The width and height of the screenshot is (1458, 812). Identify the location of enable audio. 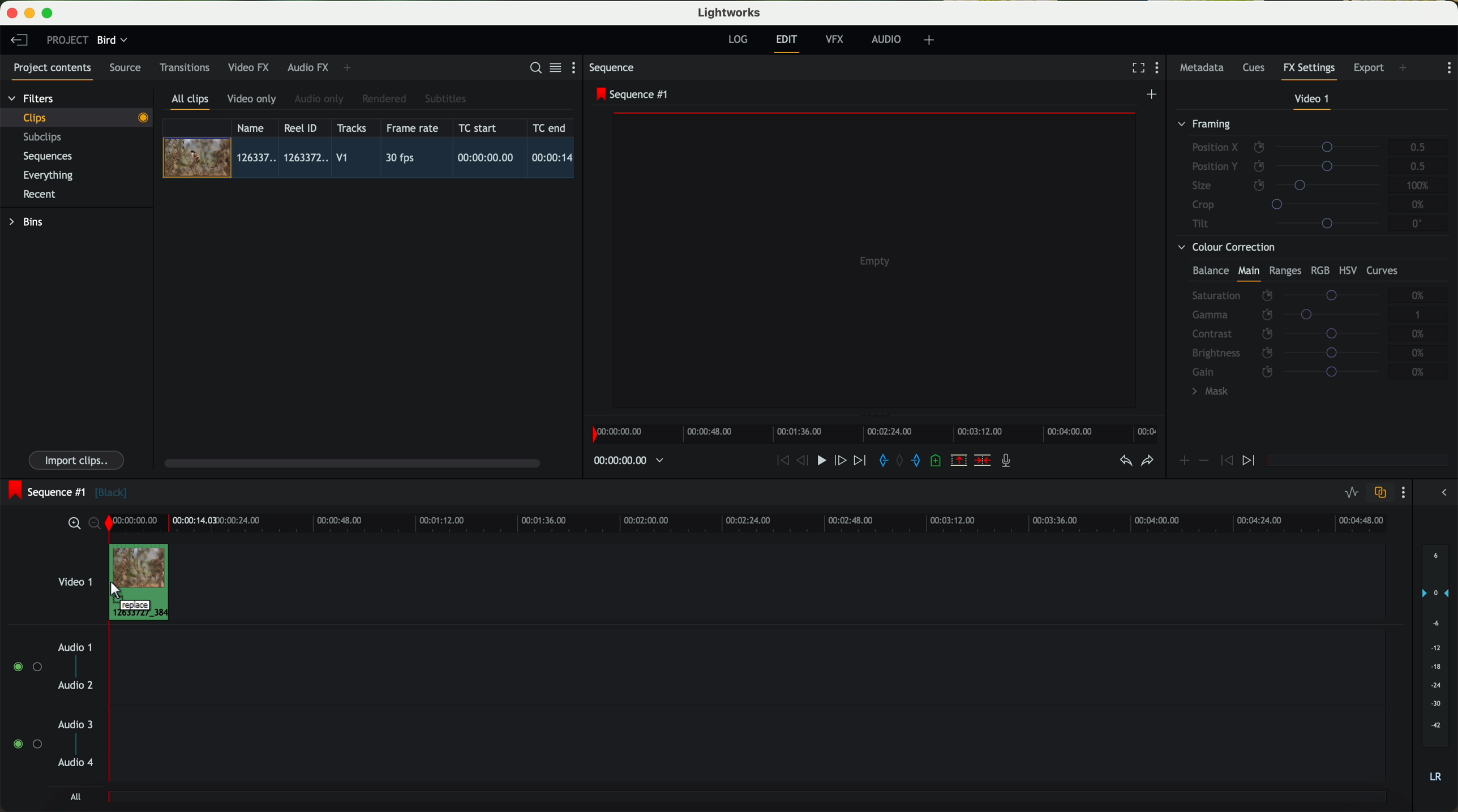
(27, 744).